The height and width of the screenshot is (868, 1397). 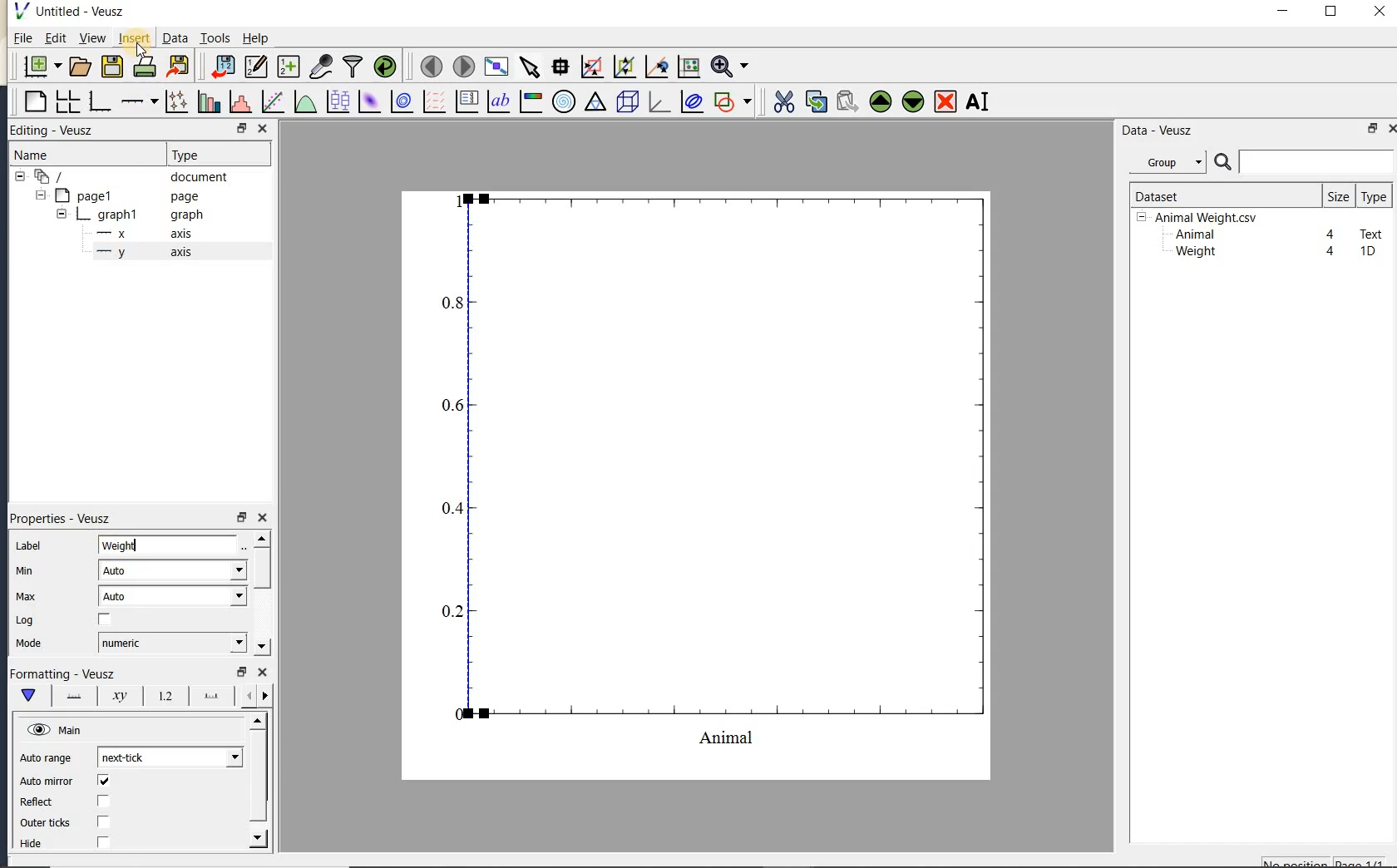 What do you see at coordinates (976, 101) in the screenshot?
I see `renames the selected widget` at bounding box center [976, 101].